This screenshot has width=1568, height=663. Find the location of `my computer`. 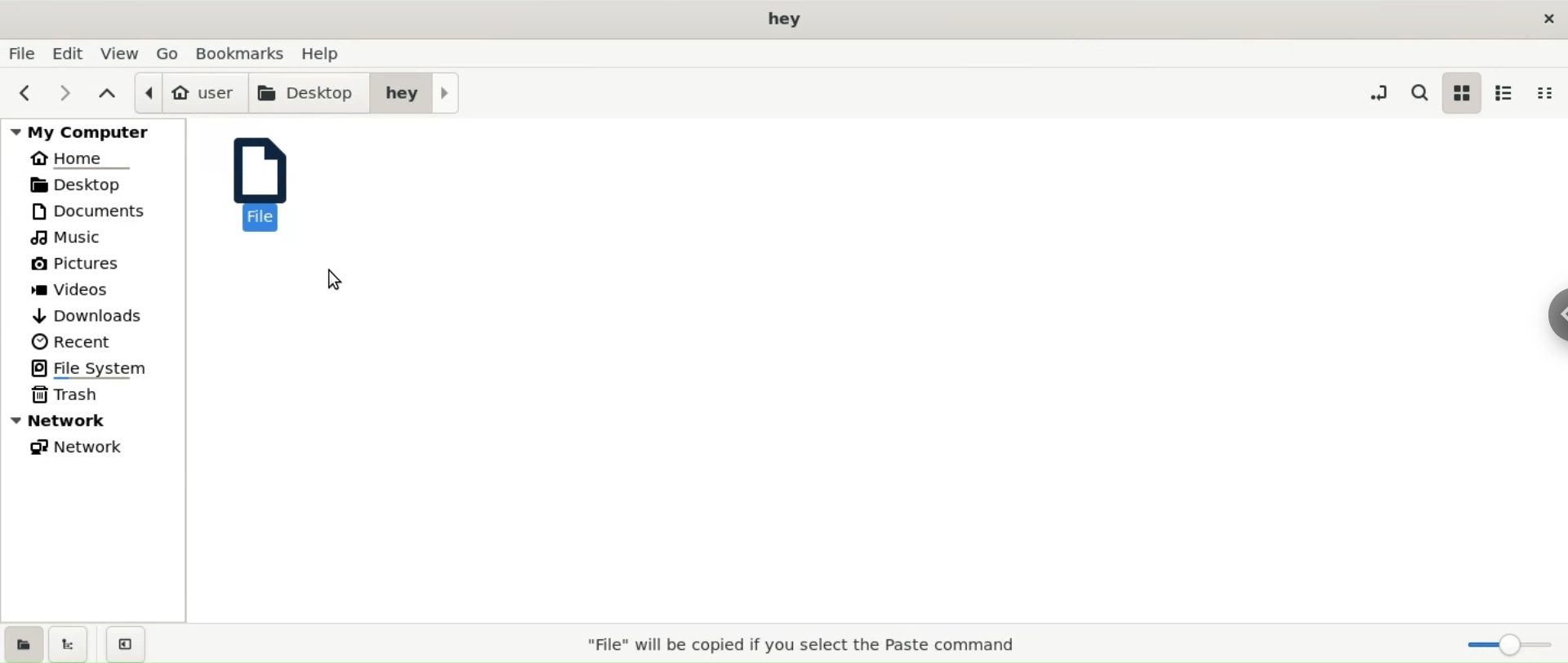

my computer is located at coordinates (94, 132).